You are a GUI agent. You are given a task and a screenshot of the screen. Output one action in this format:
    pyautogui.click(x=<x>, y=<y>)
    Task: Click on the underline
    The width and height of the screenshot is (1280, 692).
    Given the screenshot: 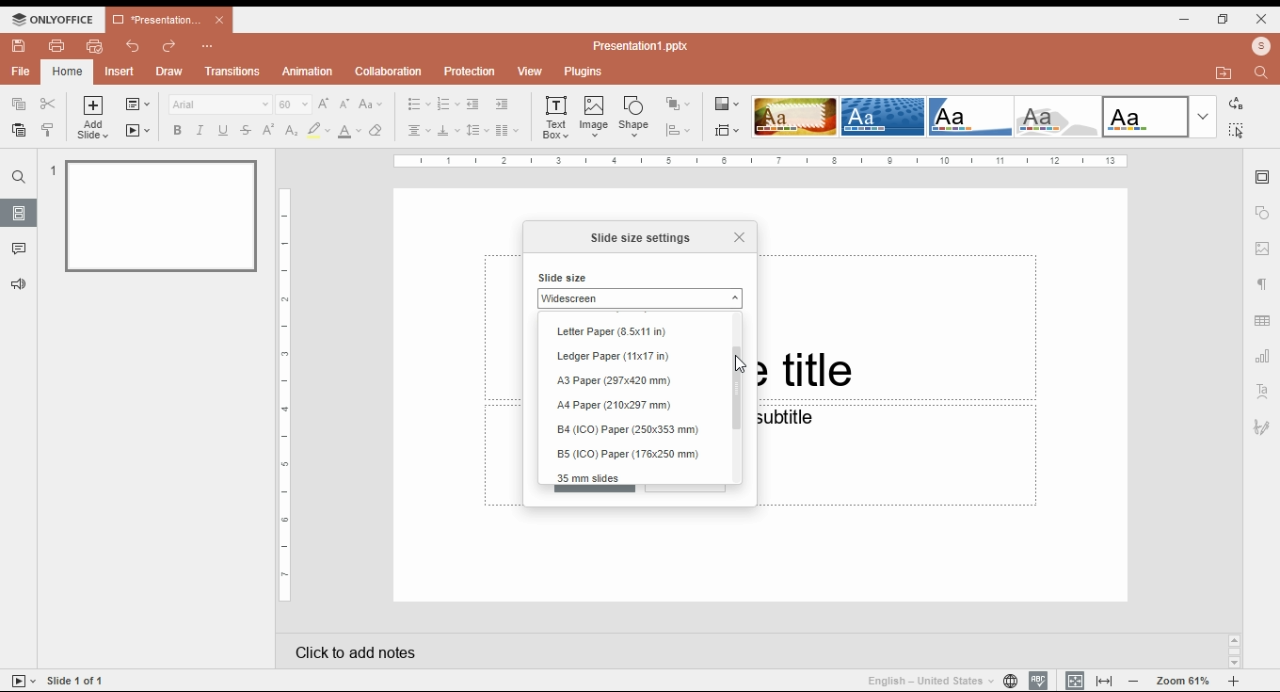 What is the action you would take?
    pyautogui.click(x=222, y=130)
    